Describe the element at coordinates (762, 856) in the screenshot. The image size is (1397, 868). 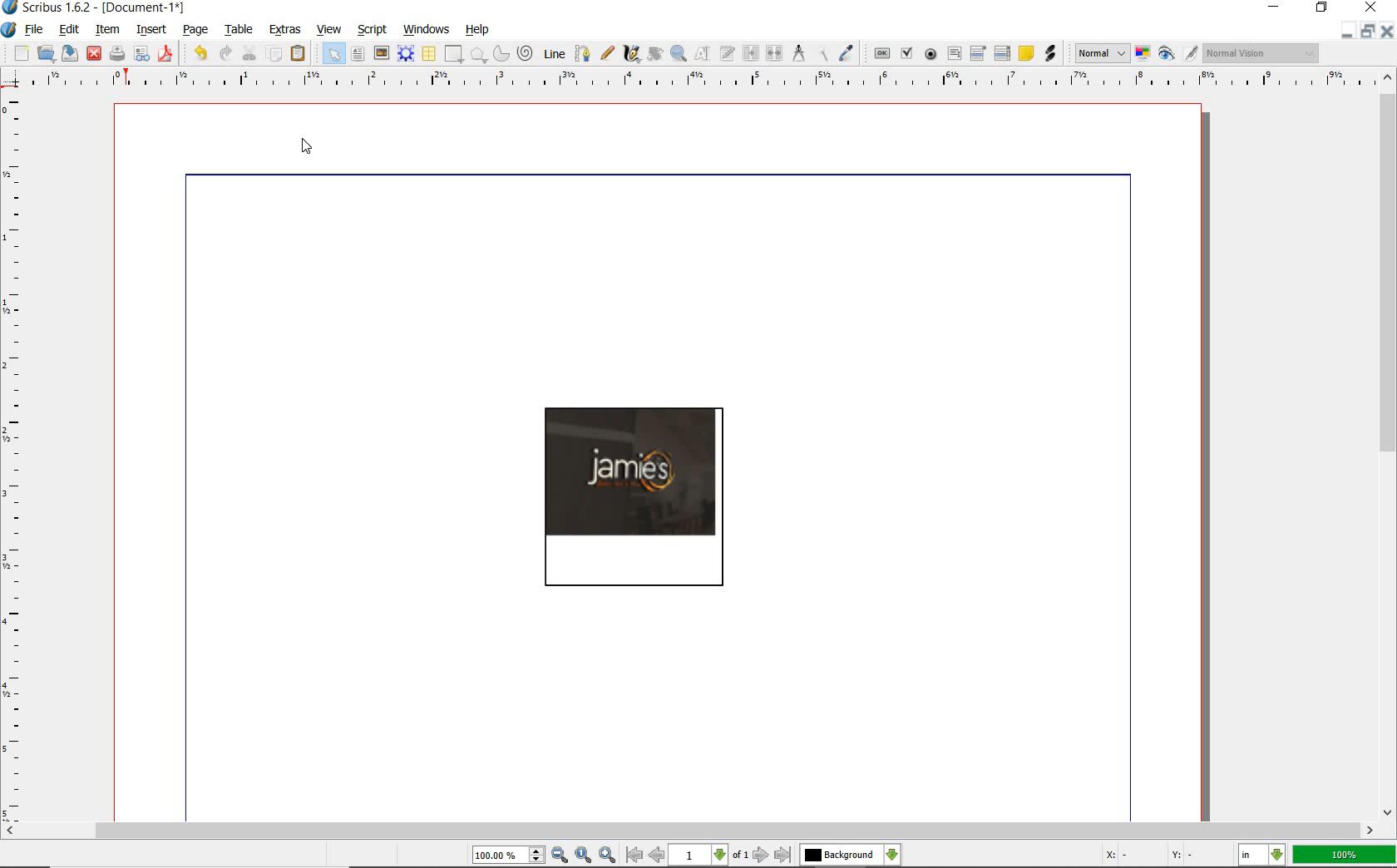
I see `Next Page` at that location.